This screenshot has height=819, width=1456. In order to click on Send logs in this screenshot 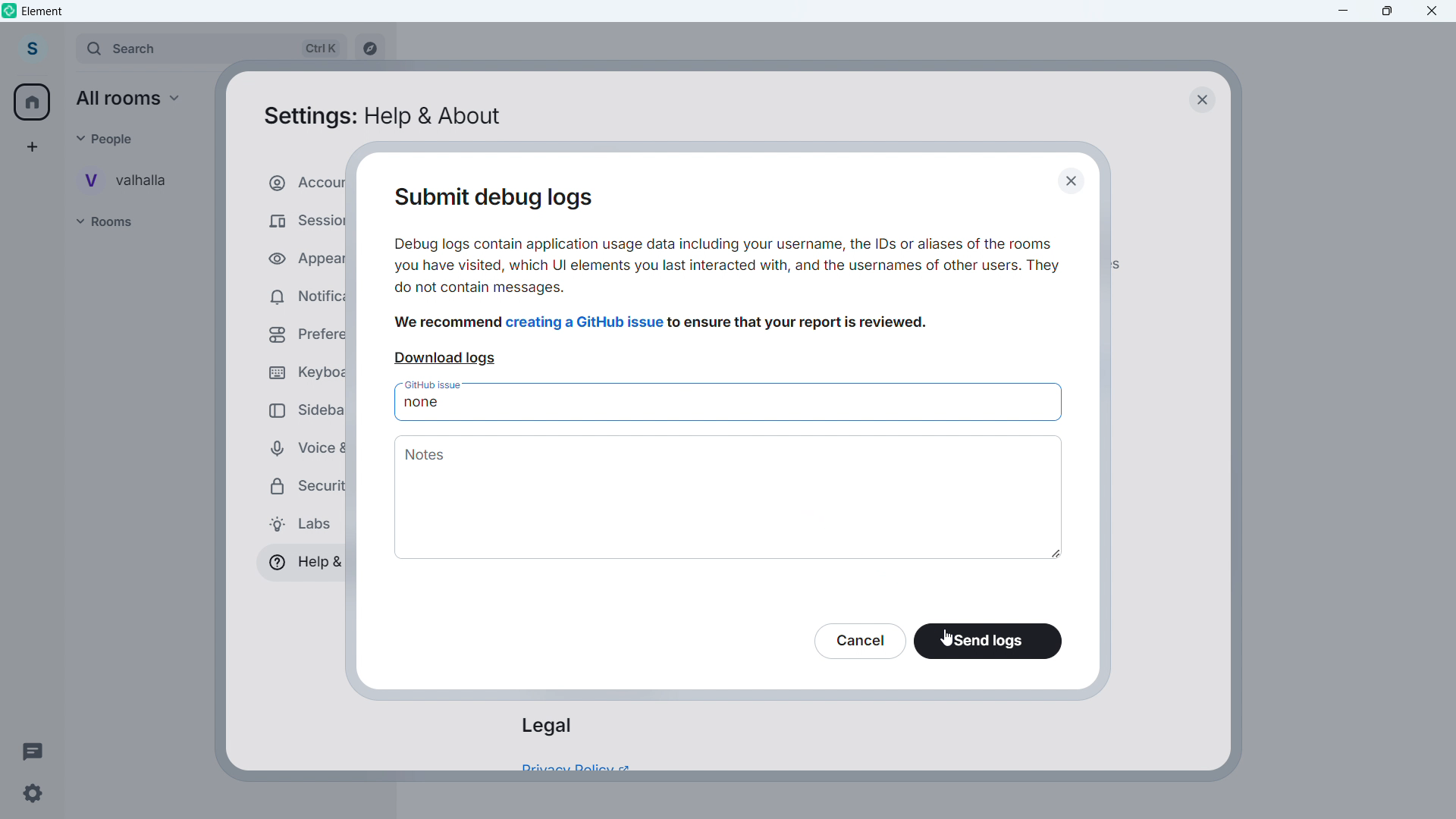, I will do `click(989, 642)`.